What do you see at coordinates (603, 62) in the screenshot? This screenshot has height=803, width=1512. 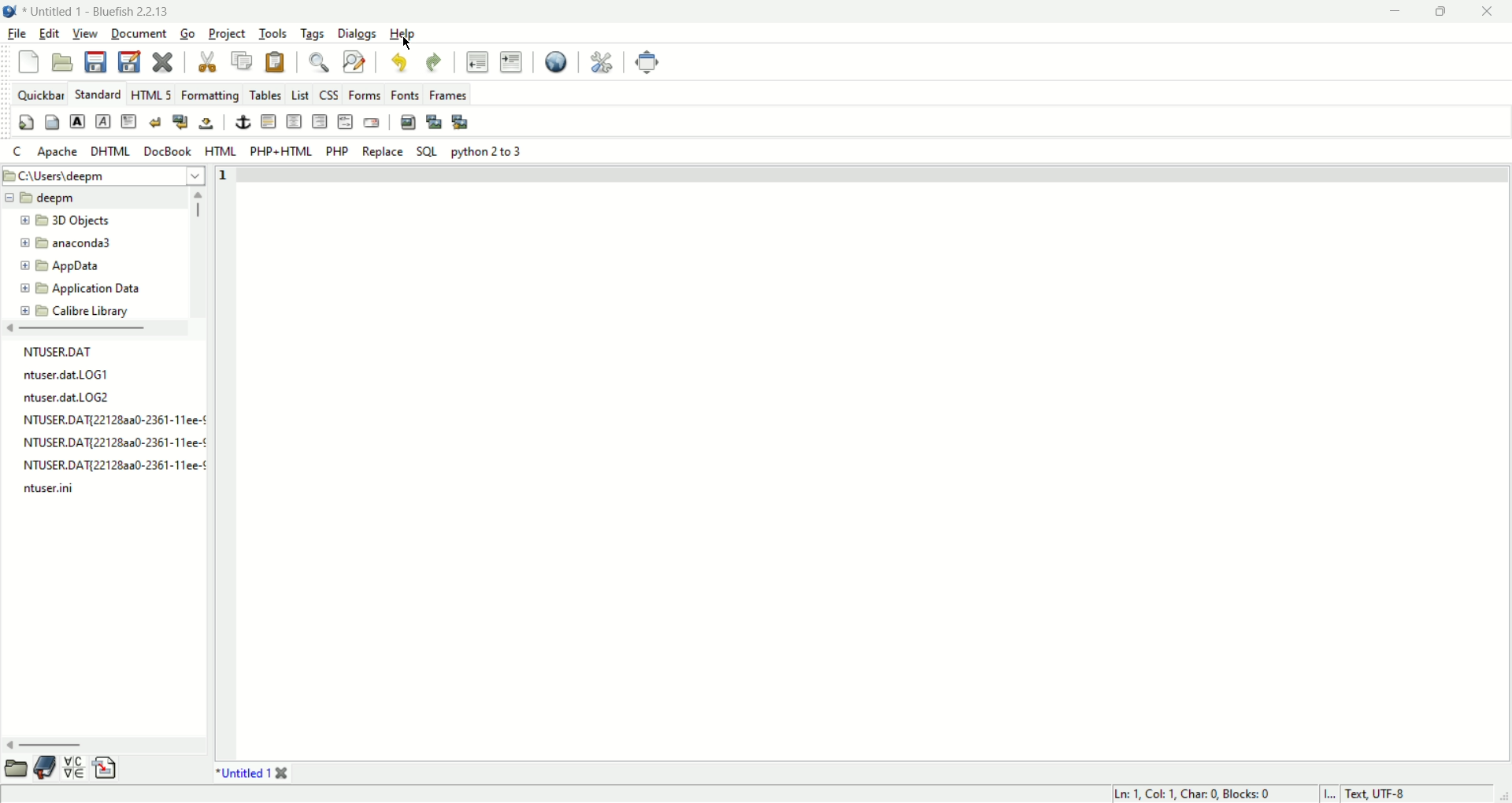 I see `preferences` at bounding box center [603, 62].